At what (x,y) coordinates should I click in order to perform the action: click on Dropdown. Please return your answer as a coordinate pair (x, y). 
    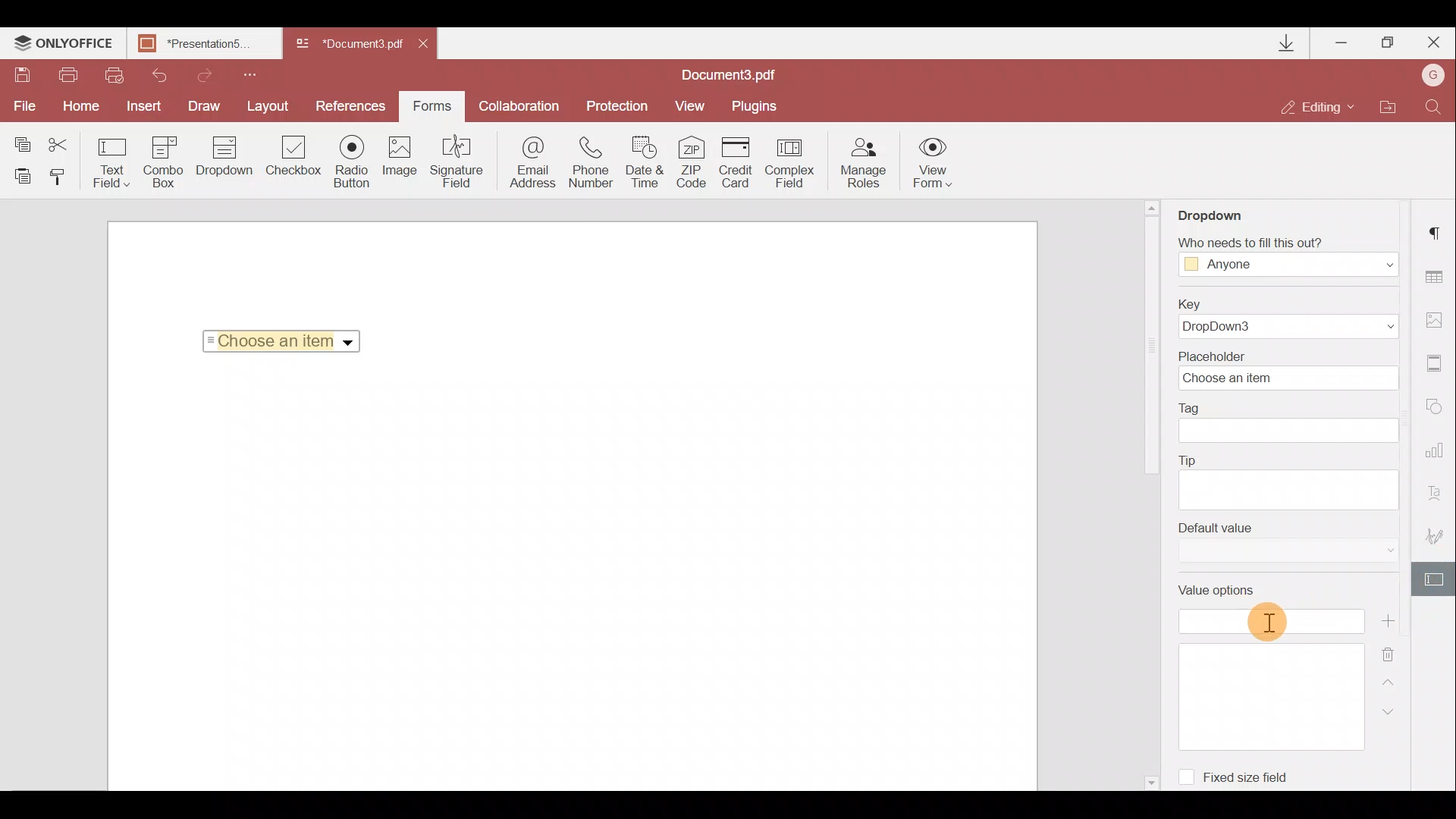
    Looking at the image, I should click on (1216, 214).